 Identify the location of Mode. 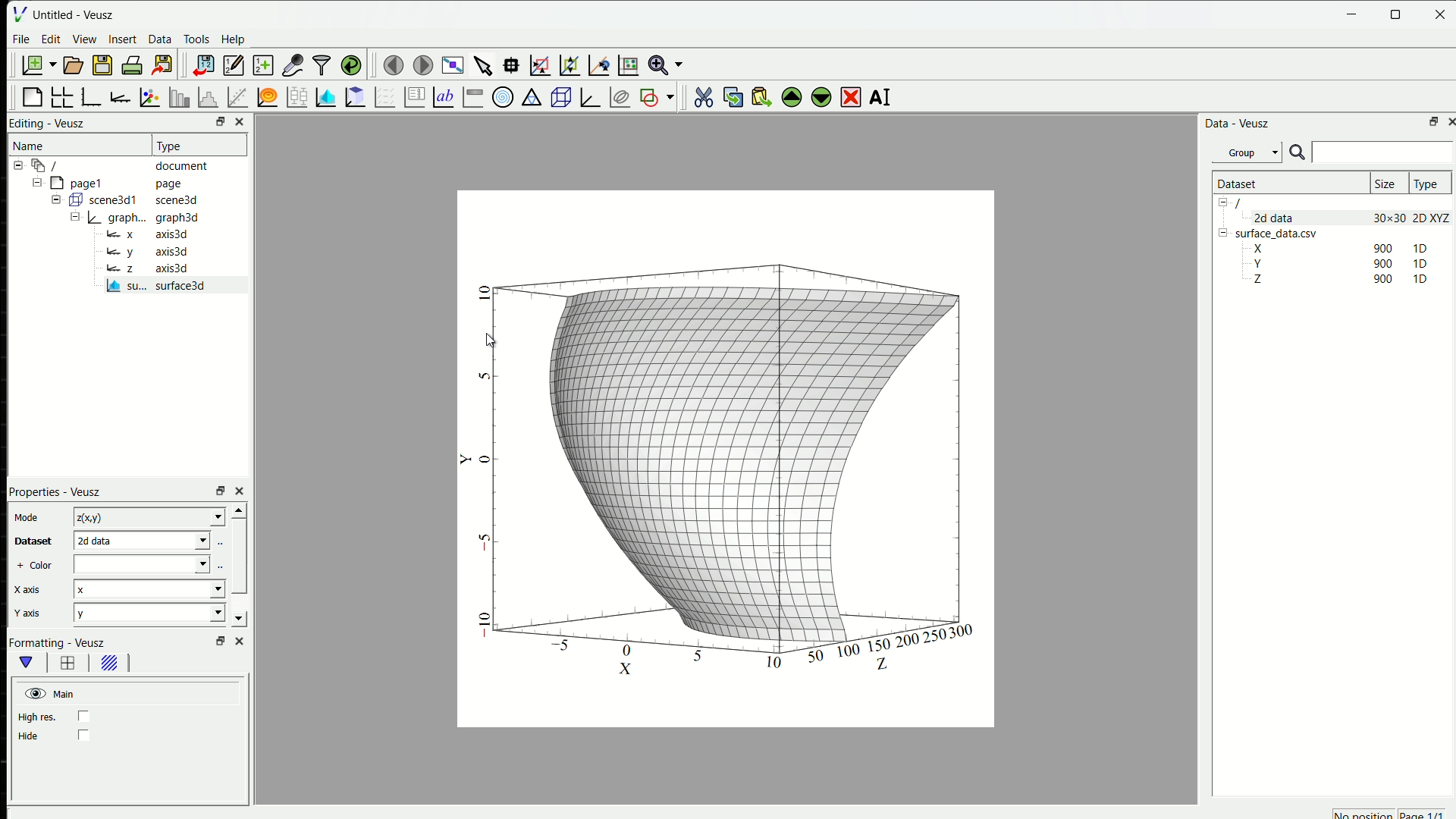
(27, 516).